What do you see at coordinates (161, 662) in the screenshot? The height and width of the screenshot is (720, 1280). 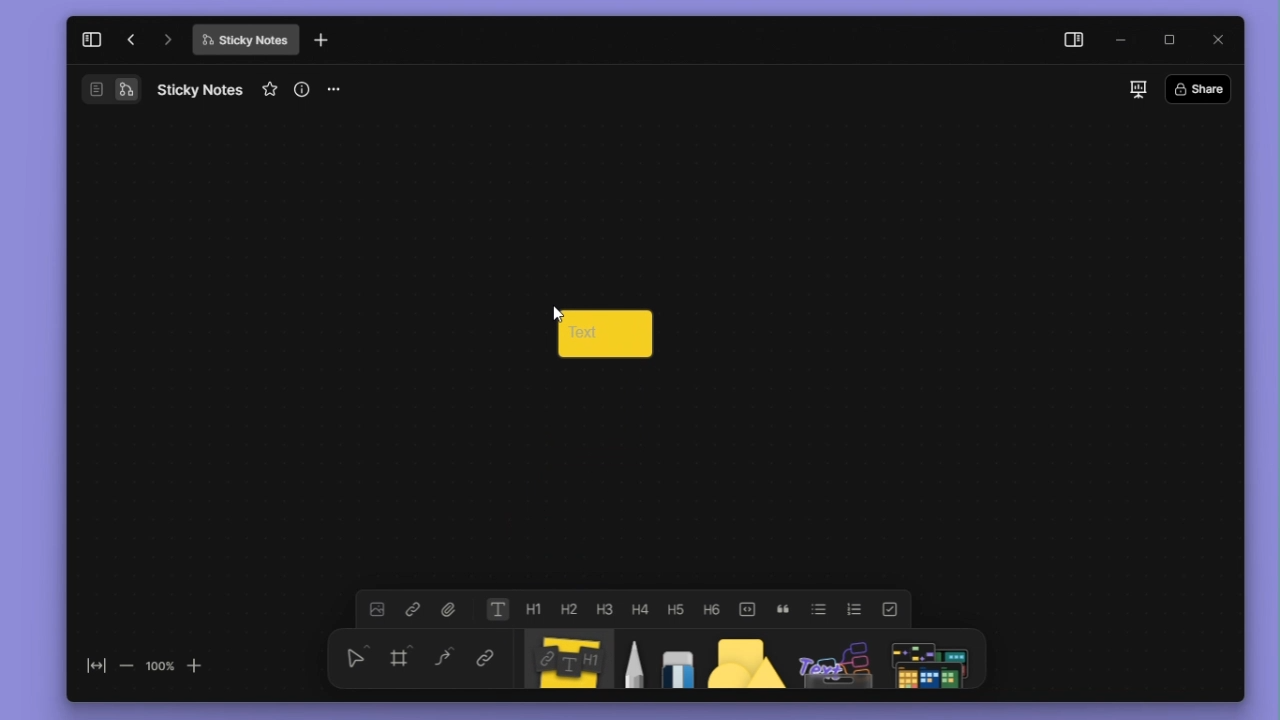 I see `100%` at bounding box center [161, 662].